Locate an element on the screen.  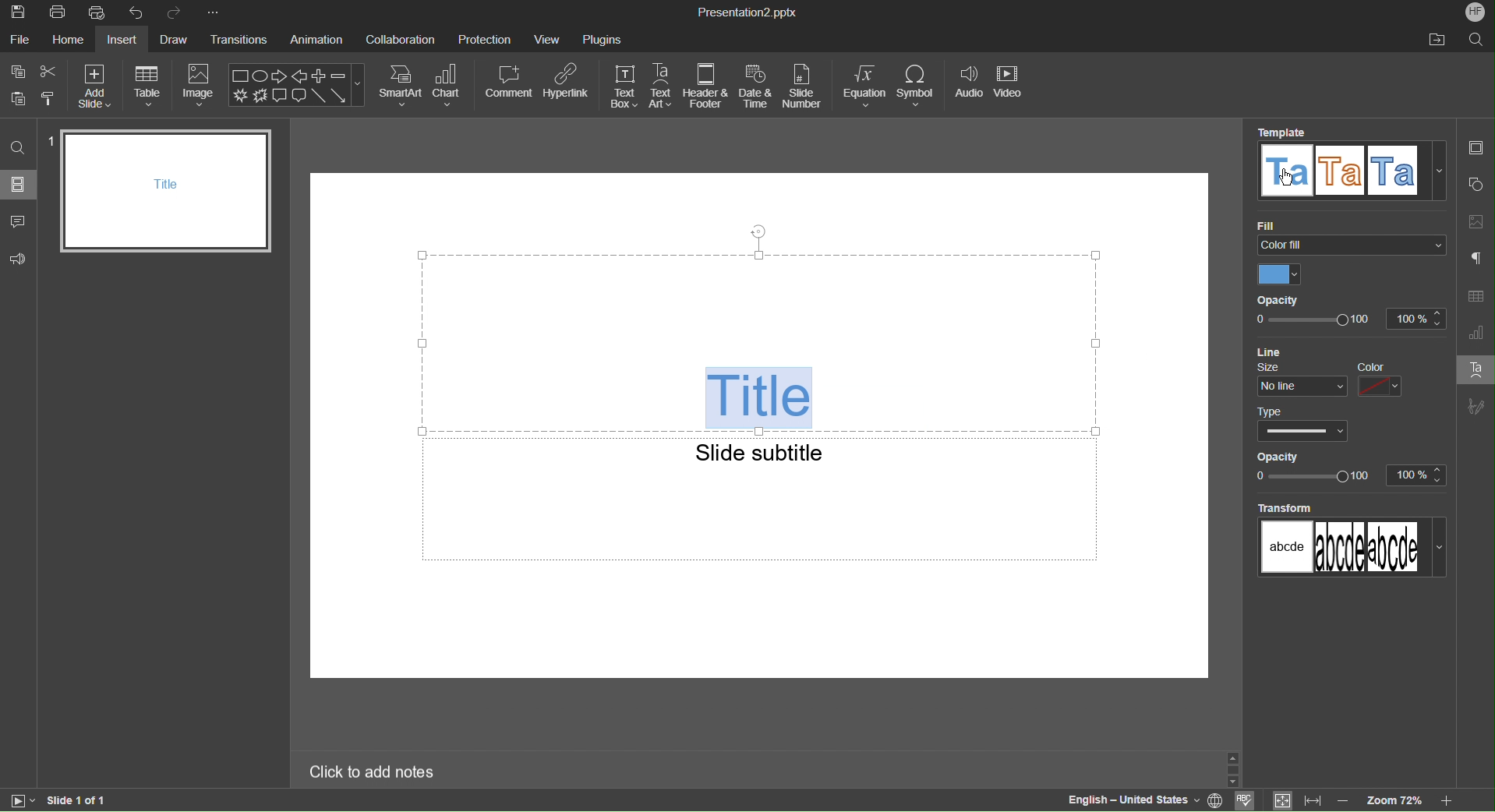
Open File Location is located at coordinates (1435, 41).